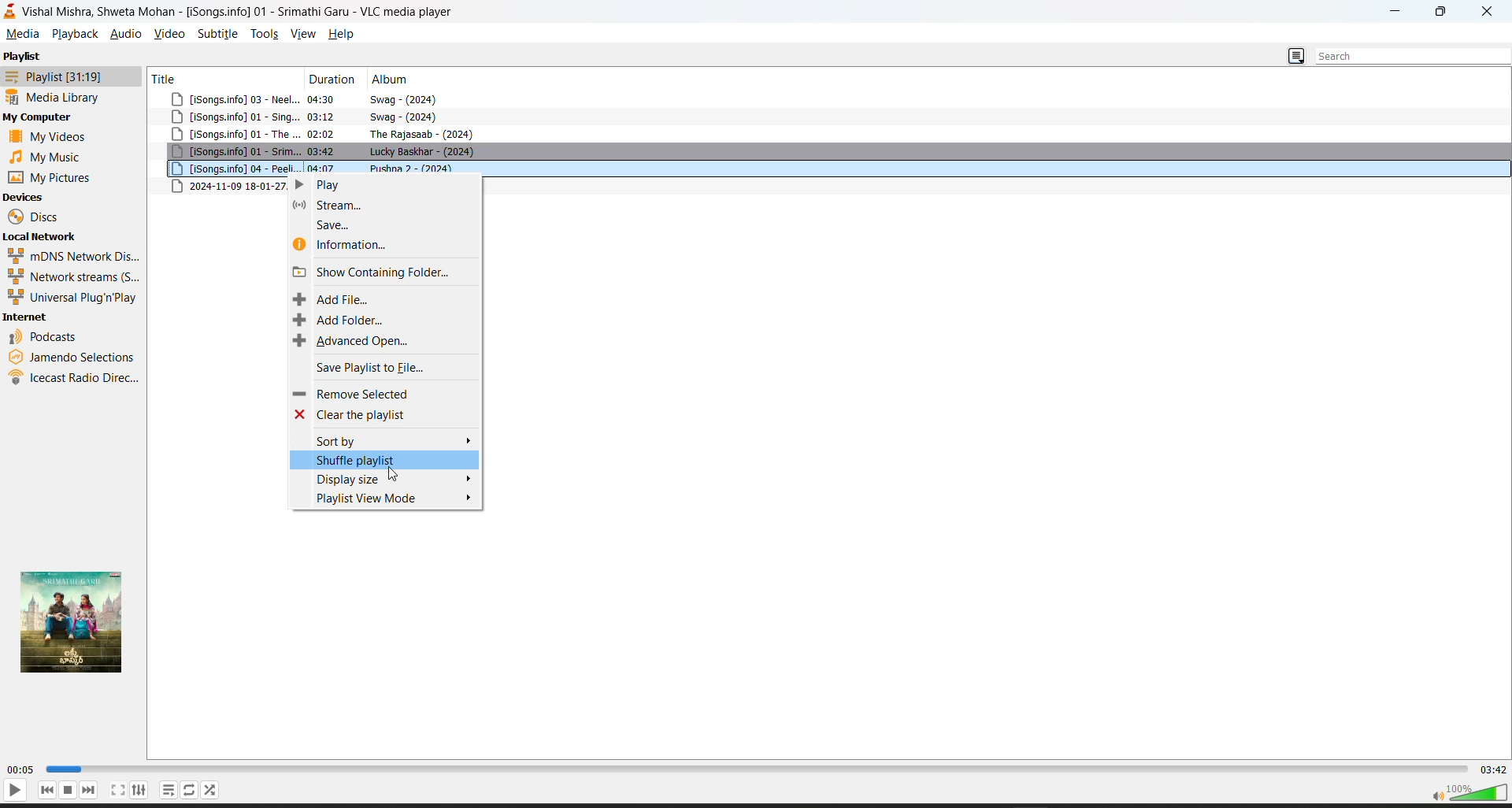  What do you see at coordinates (1395, 11) in the screenshot?
I see `Minimize` at bounding box center [1395, 11].